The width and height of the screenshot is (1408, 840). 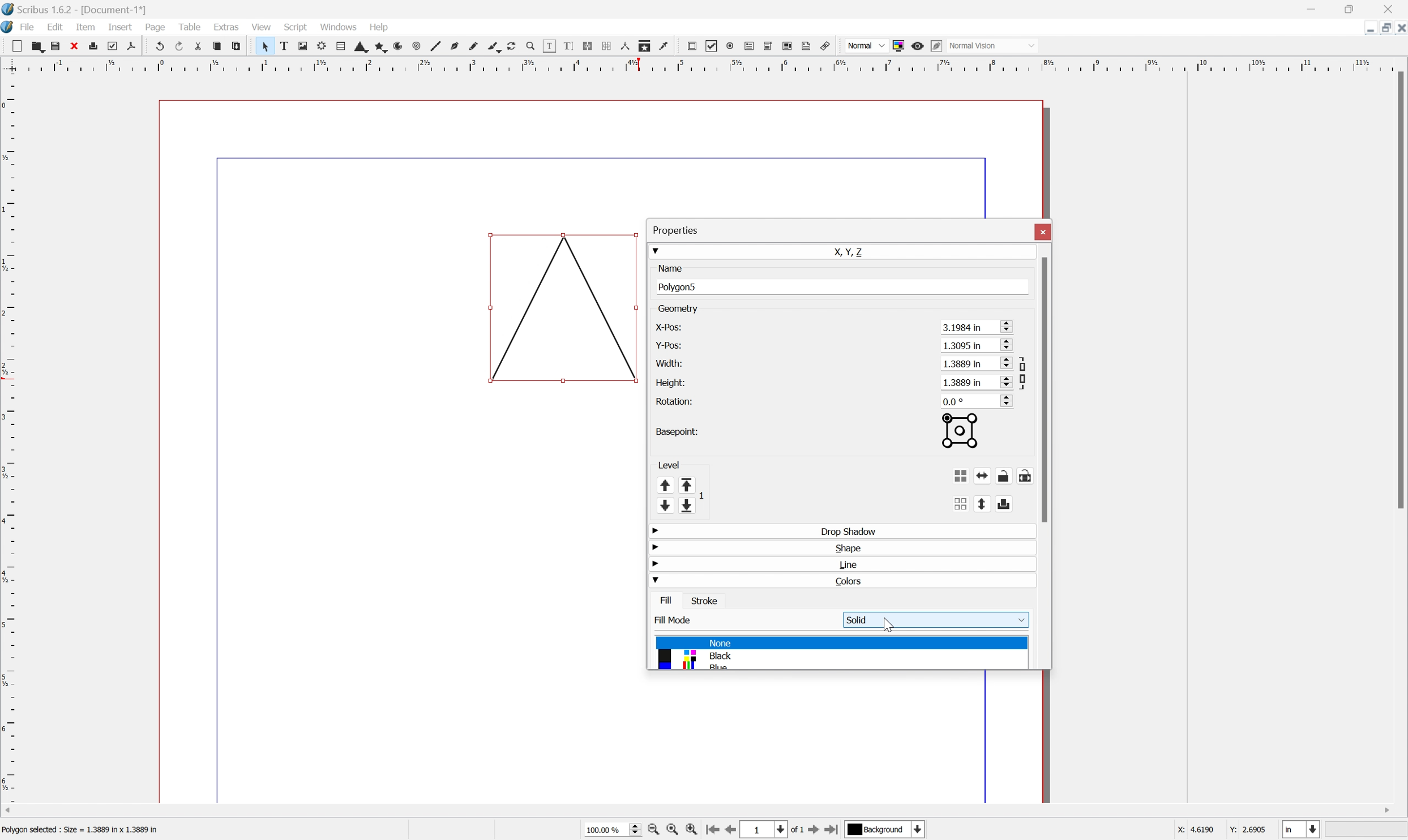 I want to click on New, so click(x=16, y=46).